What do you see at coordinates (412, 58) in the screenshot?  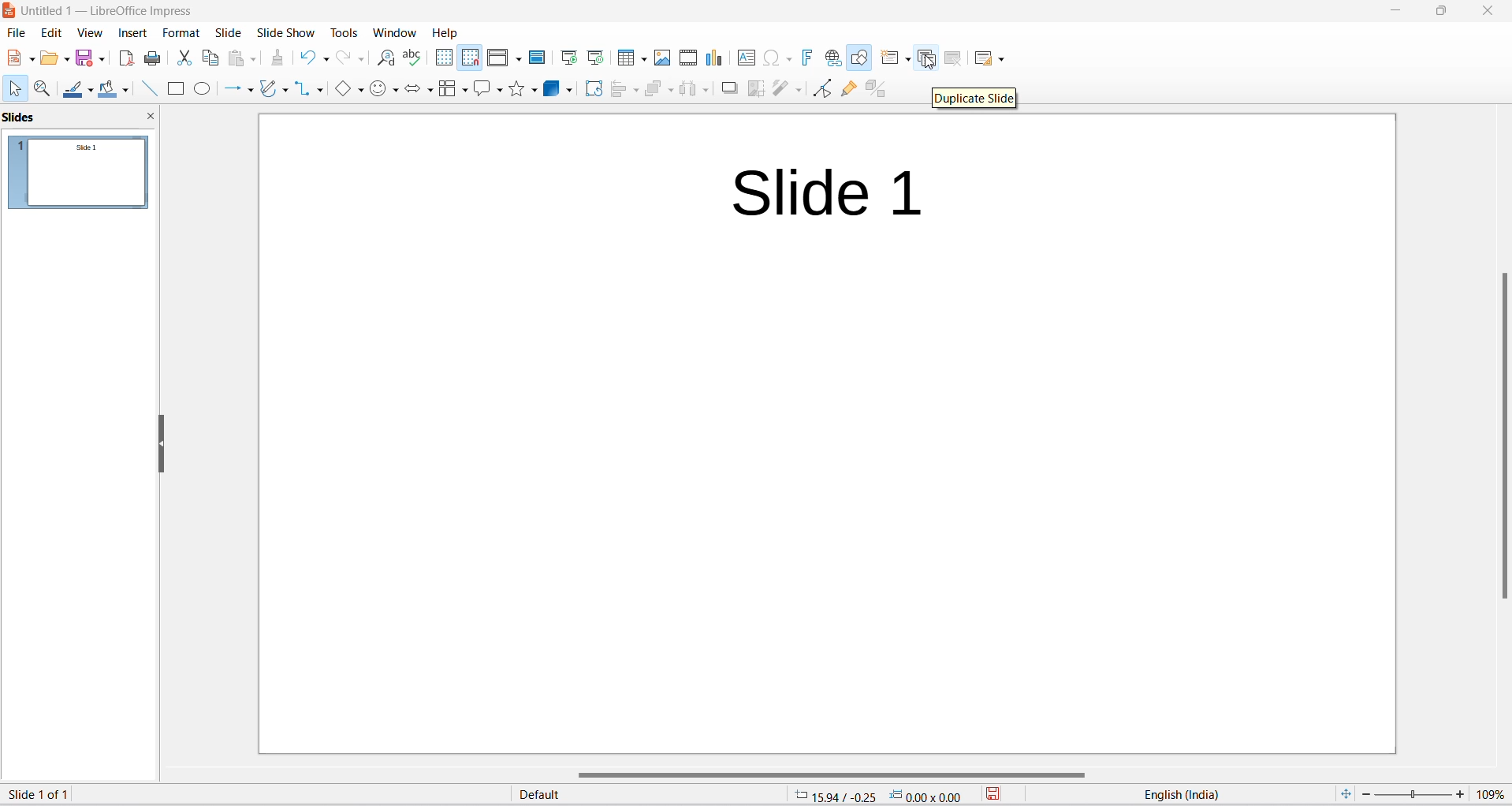 I see `spellings` at bounding box center [412, 58].